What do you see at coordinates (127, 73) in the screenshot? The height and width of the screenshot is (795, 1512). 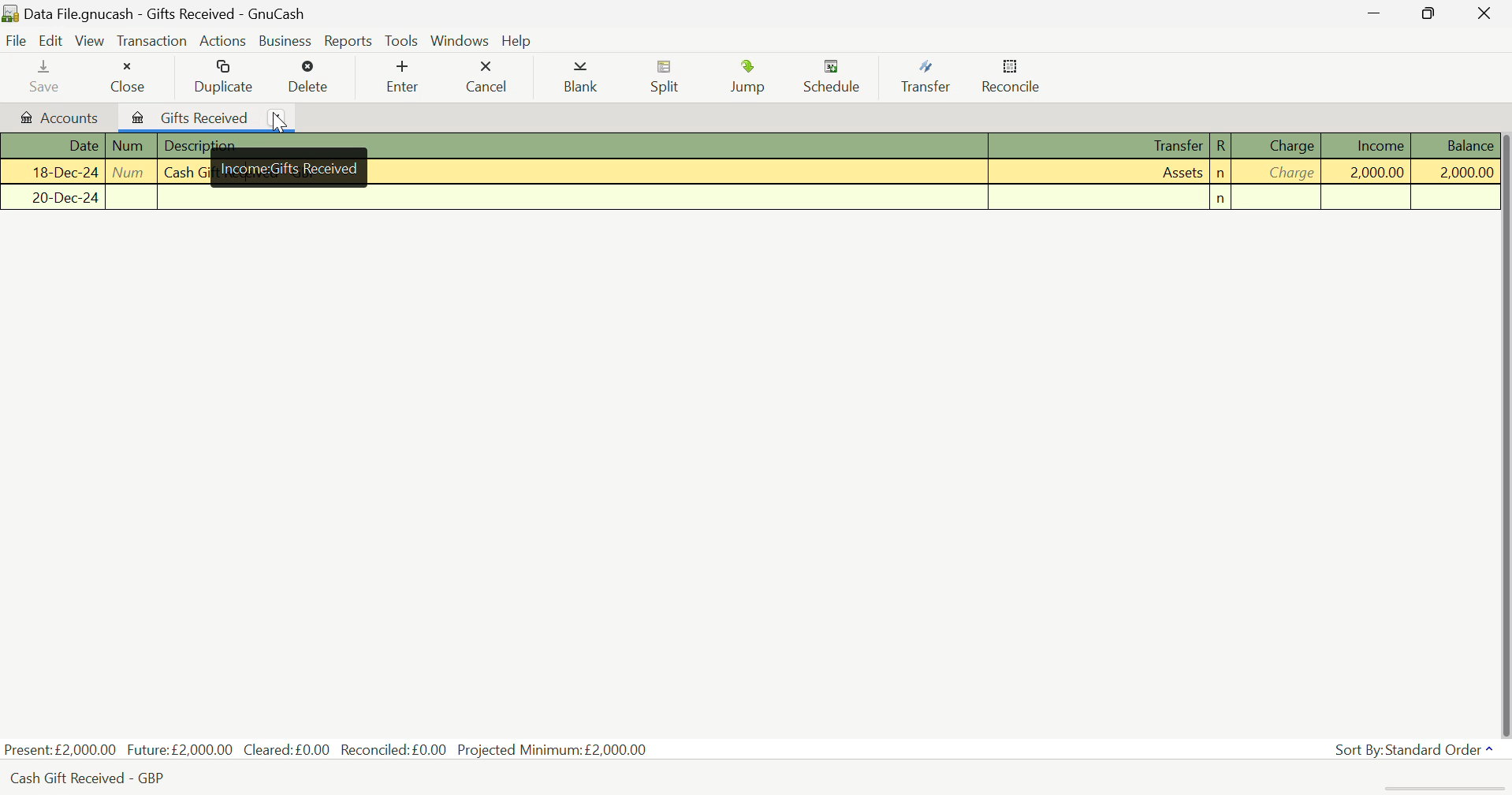 I see `Close` at bounding box center [127, 73].